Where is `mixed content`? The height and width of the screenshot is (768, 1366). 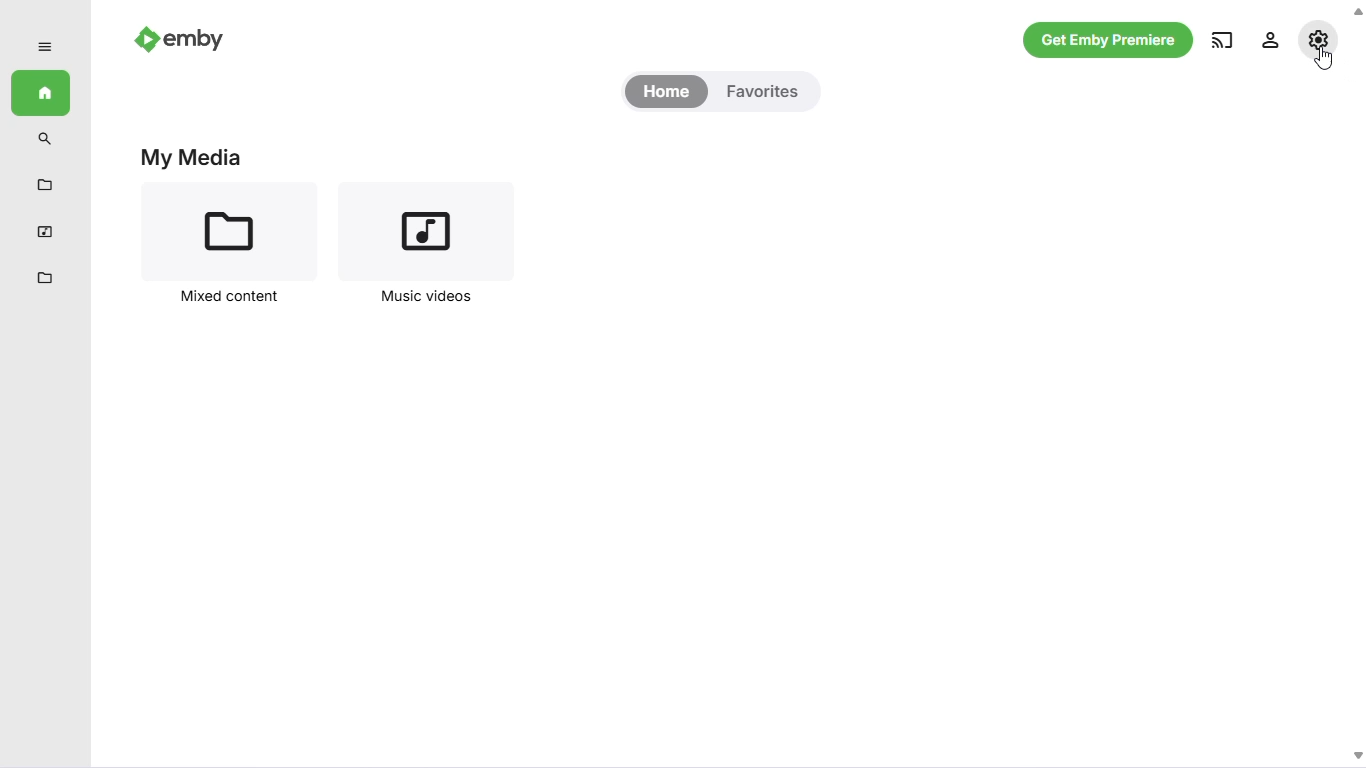
mixed content is located at coordinates (44, 184).